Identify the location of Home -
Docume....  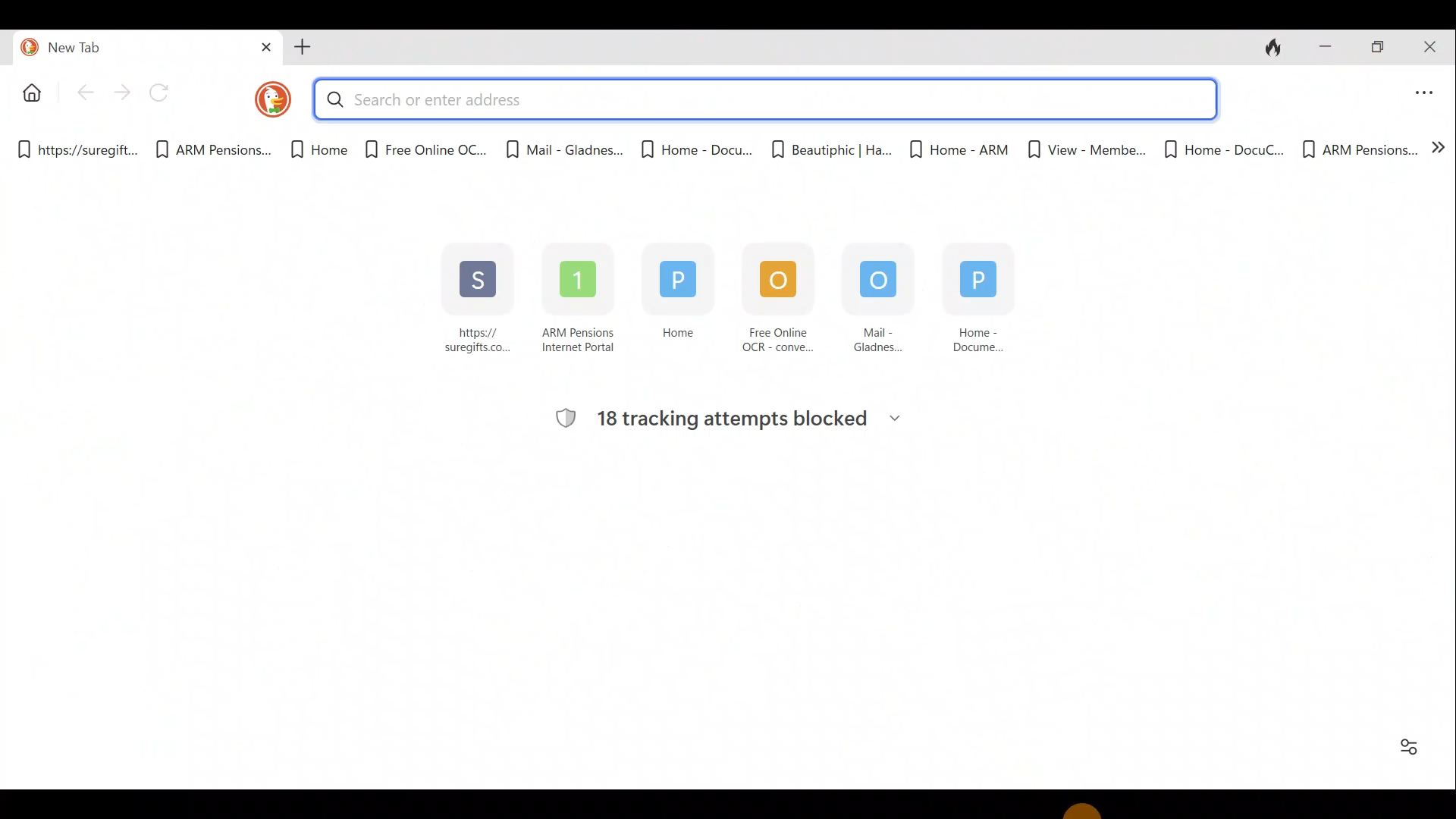
(987, 308).